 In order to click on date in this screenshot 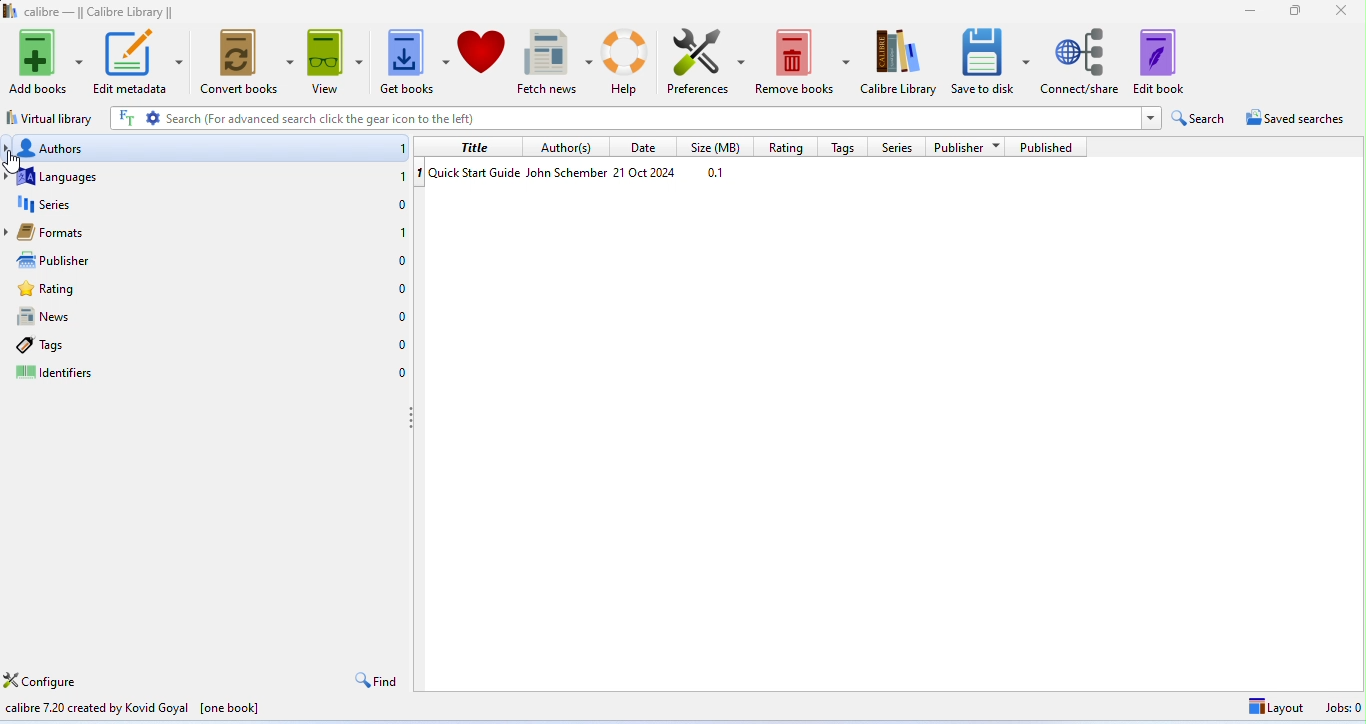, I will do `click(645, 148)`.